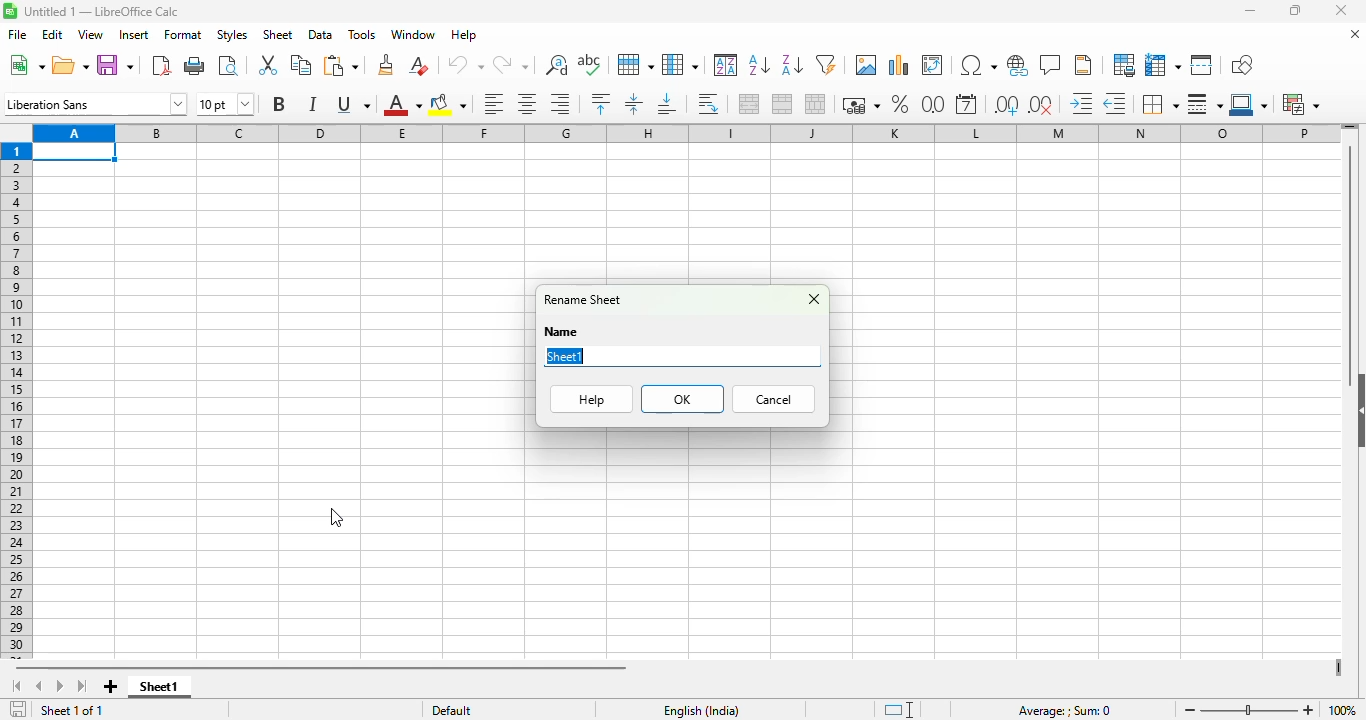 Image resolution: width=1366 pixels, height=720 pixels. What do you see at coordinates (321, 35) in the screenshot?
I see `data` at bounding box center [321, 35].